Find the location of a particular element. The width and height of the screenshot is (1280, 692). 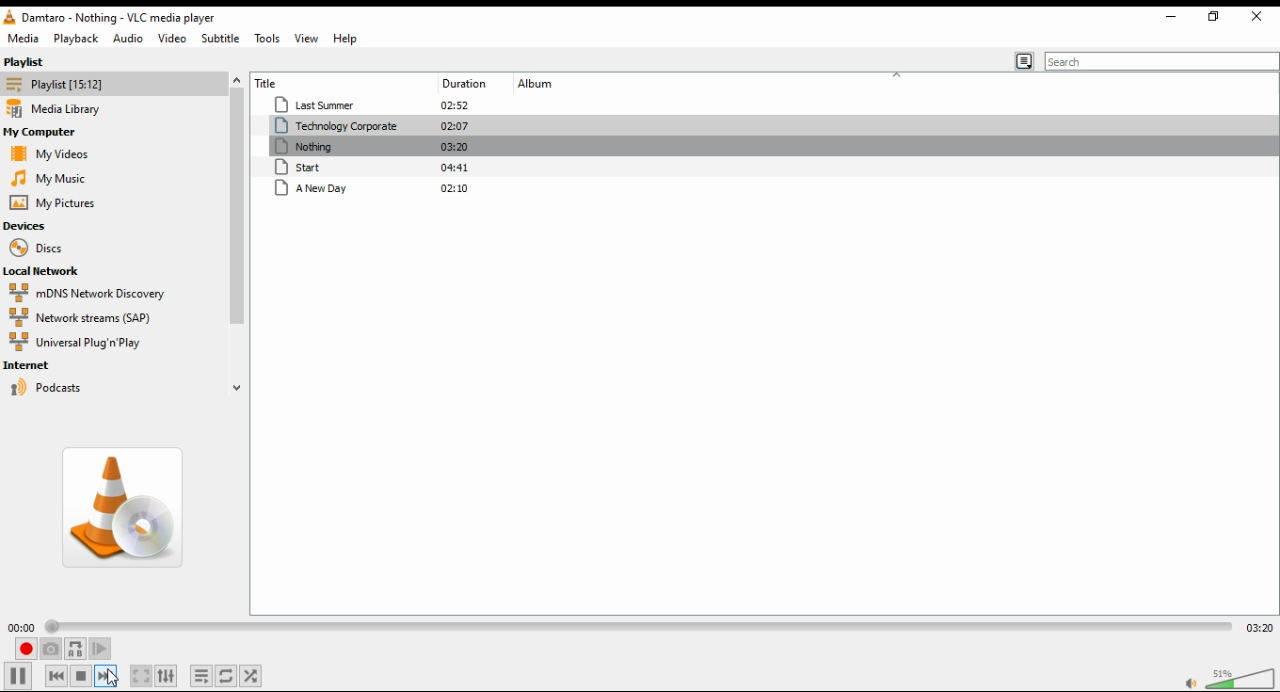

my music is located at coordinates (49, 178).